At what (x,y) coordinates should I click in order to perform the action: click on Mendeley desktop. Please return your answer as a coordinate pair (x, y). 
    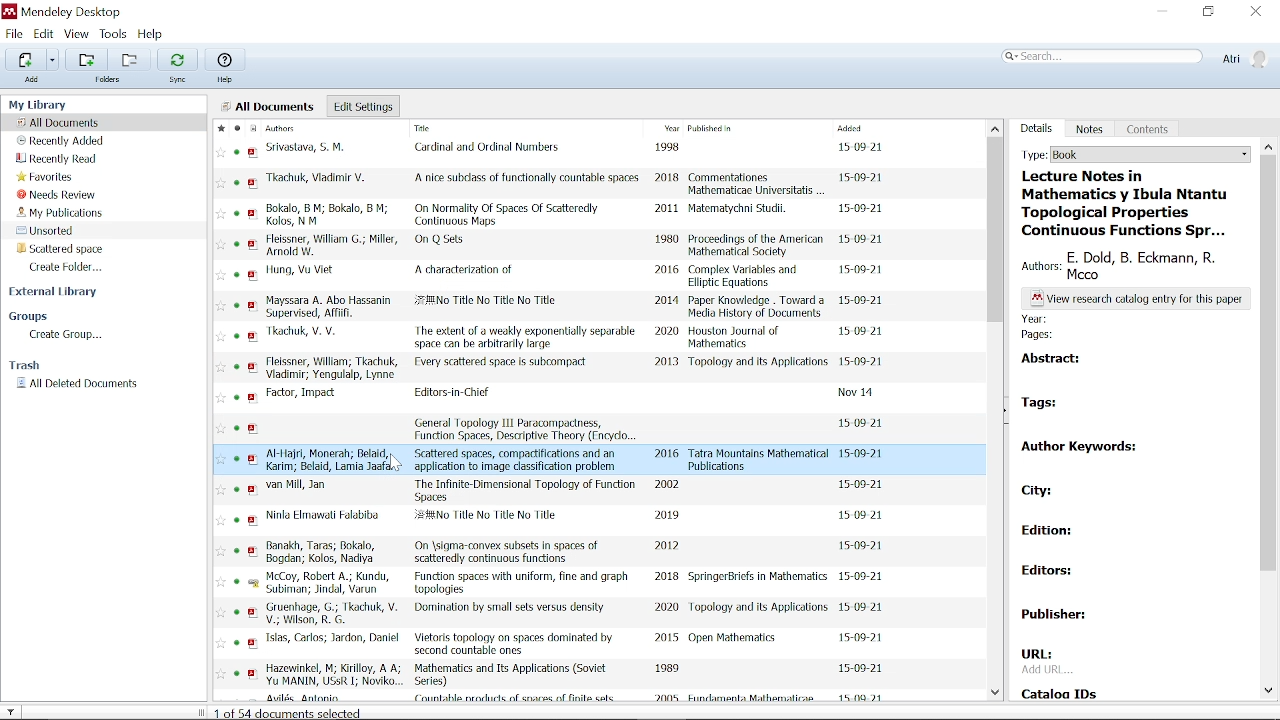
    Looking at the image, I should click on (61, 12).